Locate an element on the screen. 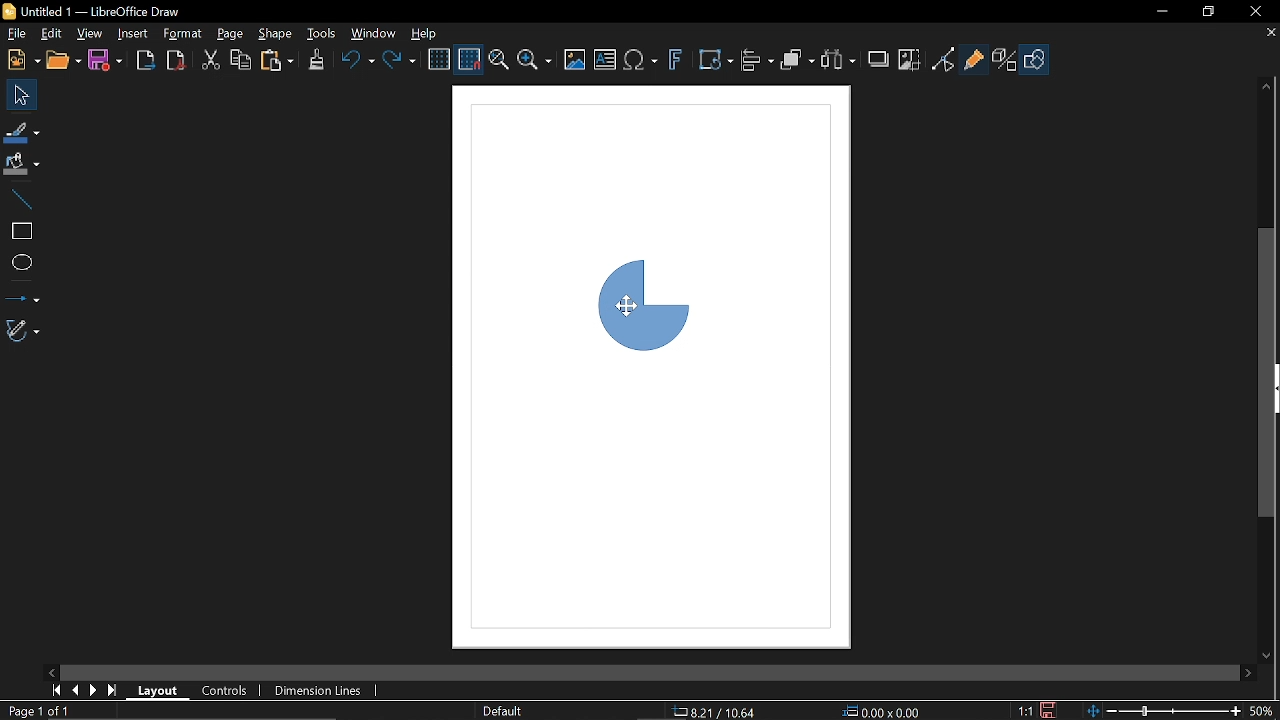 This screenshot has height=720, width=1280. Format is located at coordinates (181, 34).